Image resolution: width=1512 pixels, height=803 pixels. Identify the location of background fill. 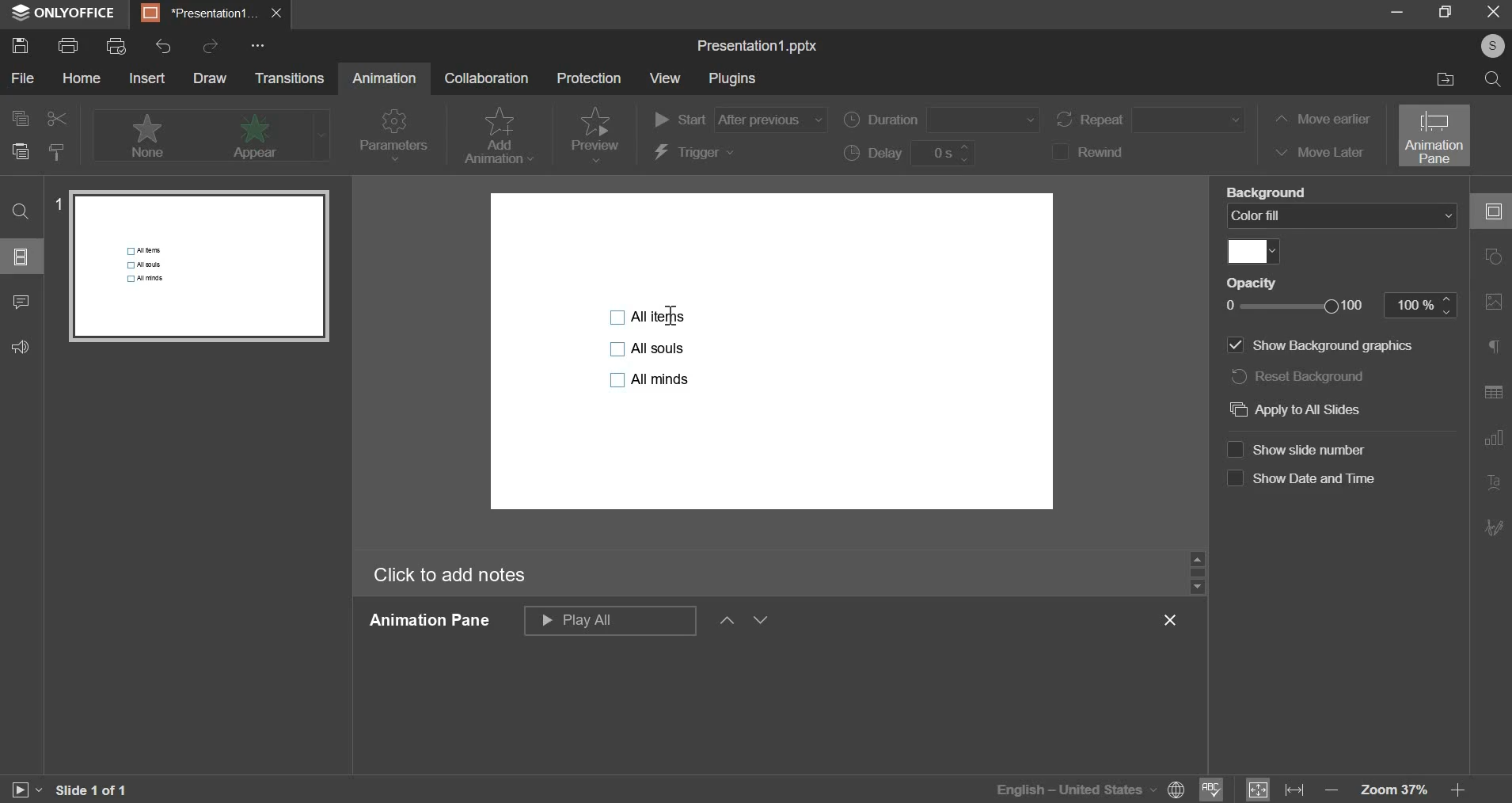
(1344, 215).